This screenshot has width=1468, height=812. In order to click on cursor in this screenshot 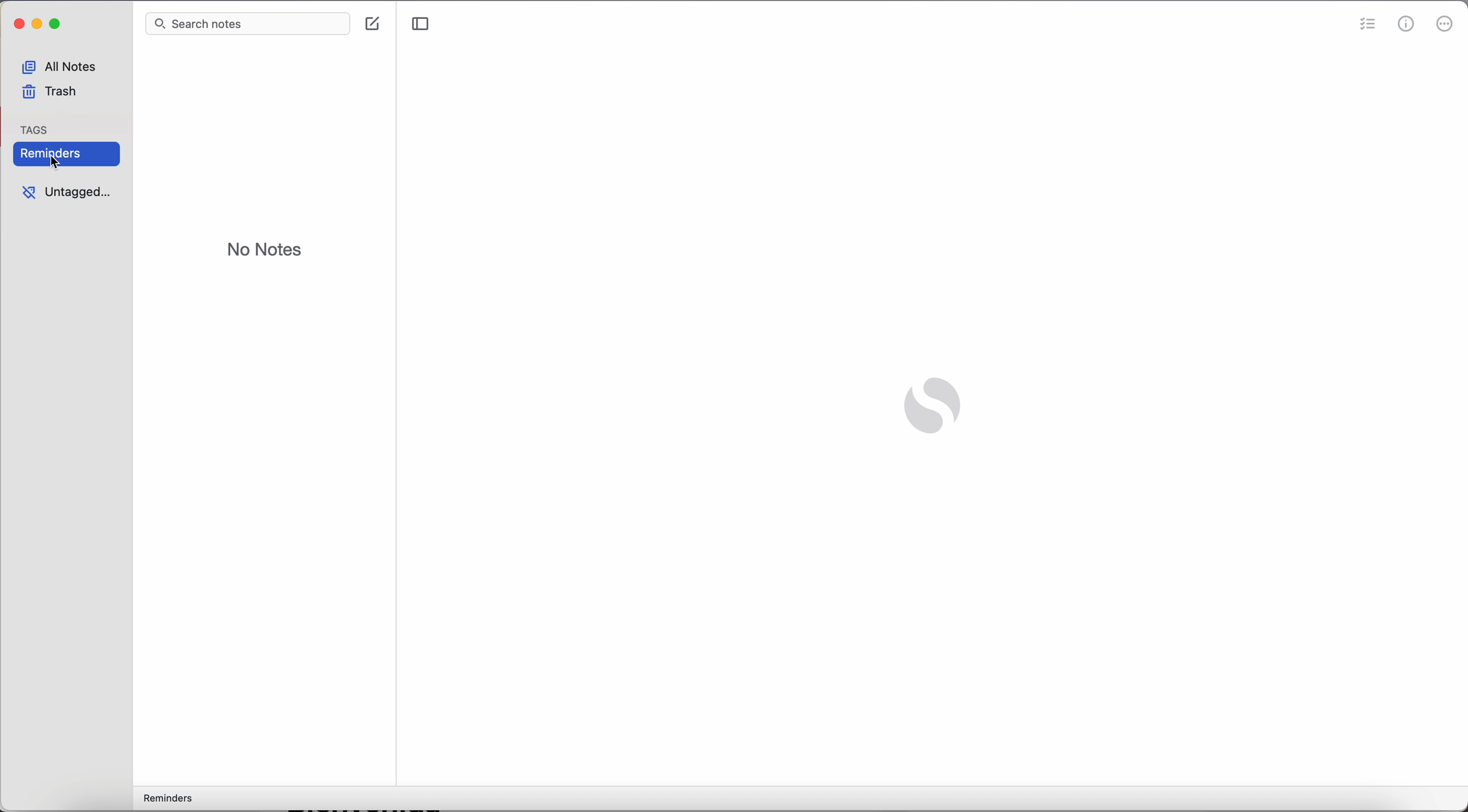, I will do `click(50, 161)`.